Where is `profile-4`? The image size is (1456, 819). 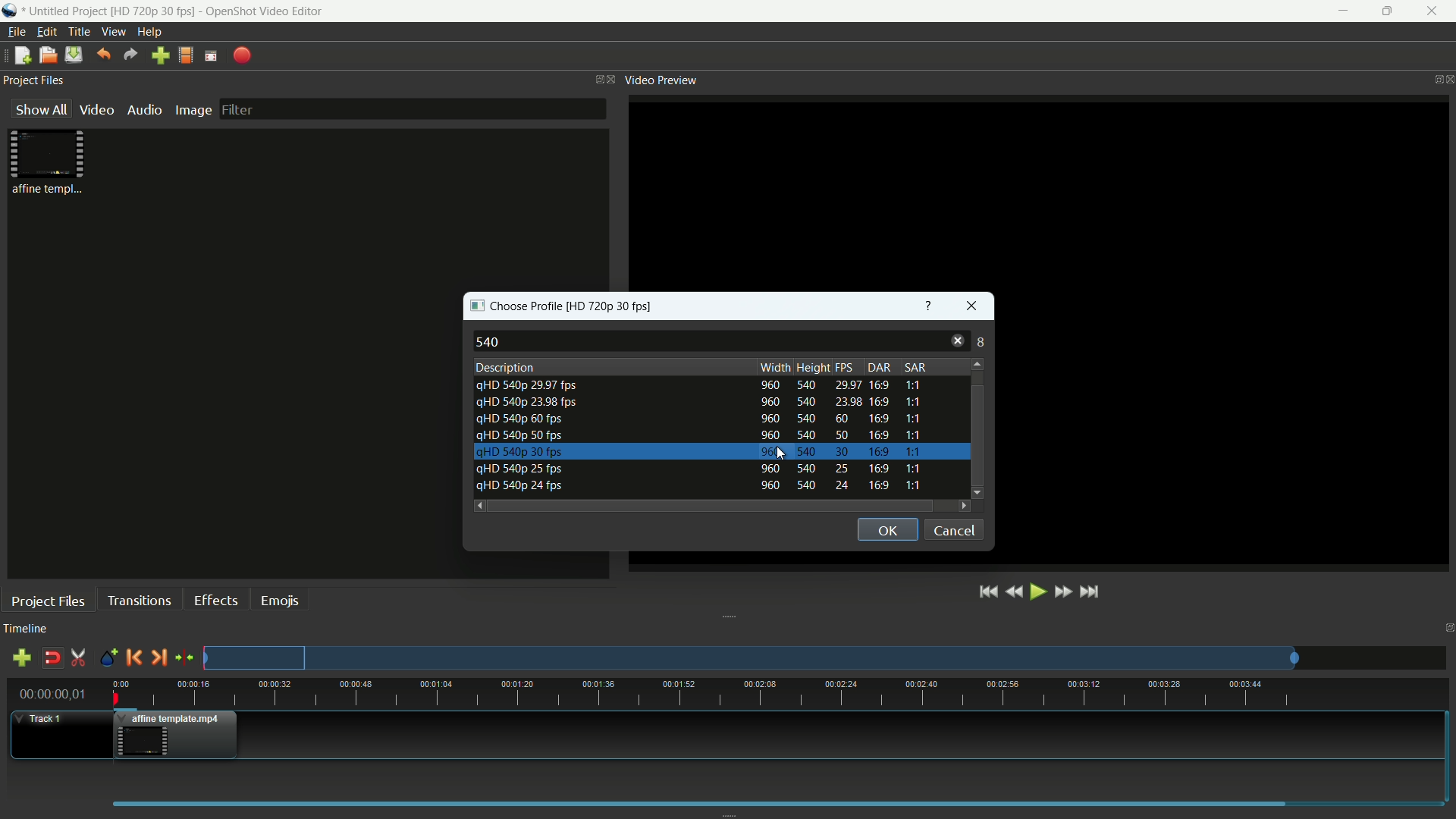
profile-4 is located at coordinates (702, 435).